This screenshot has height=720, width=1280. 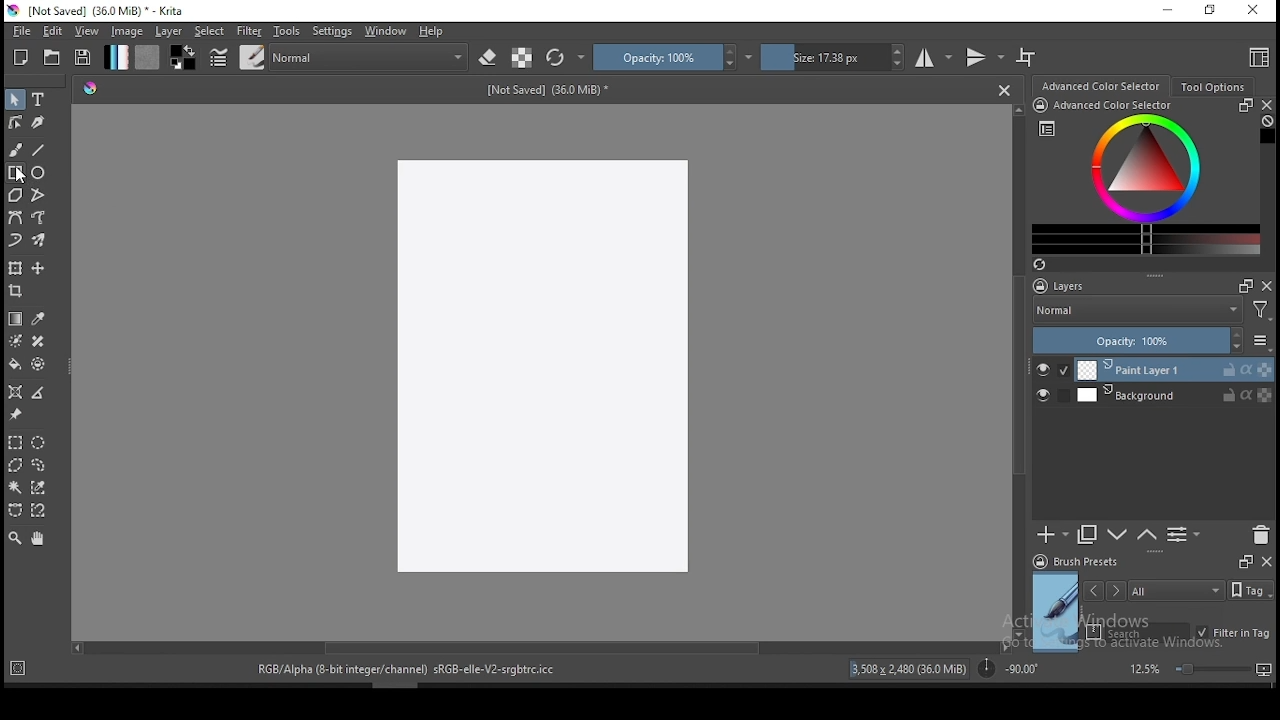 What do you see at coordinates (1004, 89) in the screenshot?
I see `Close` at bounding box center [1004, 89].